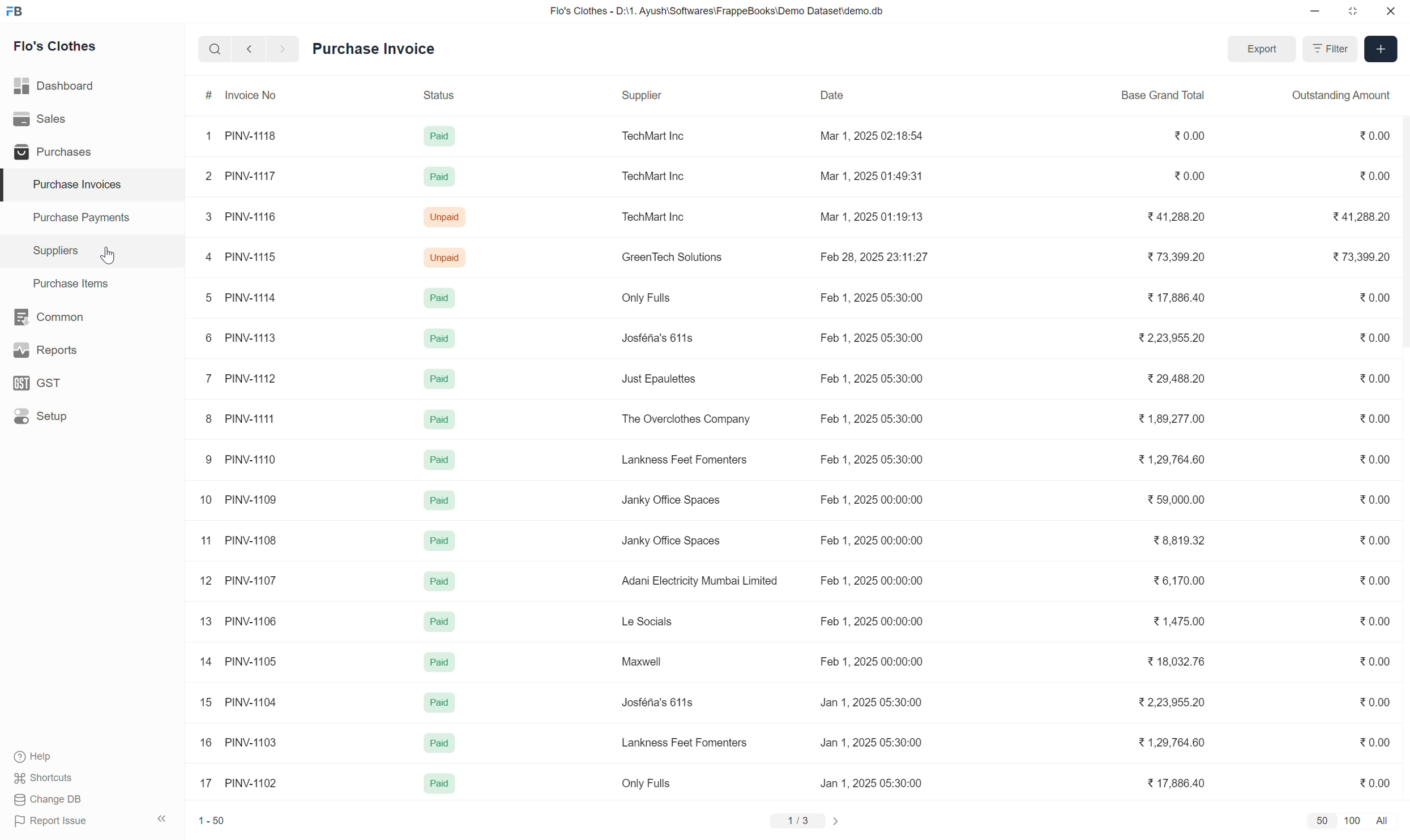 The width and height of the screenshot is (1410, 840). What do you see at coordinates (1357, 215) in the screenshot?
I see `¥41,288.20` at bounding box center [1357, 215].